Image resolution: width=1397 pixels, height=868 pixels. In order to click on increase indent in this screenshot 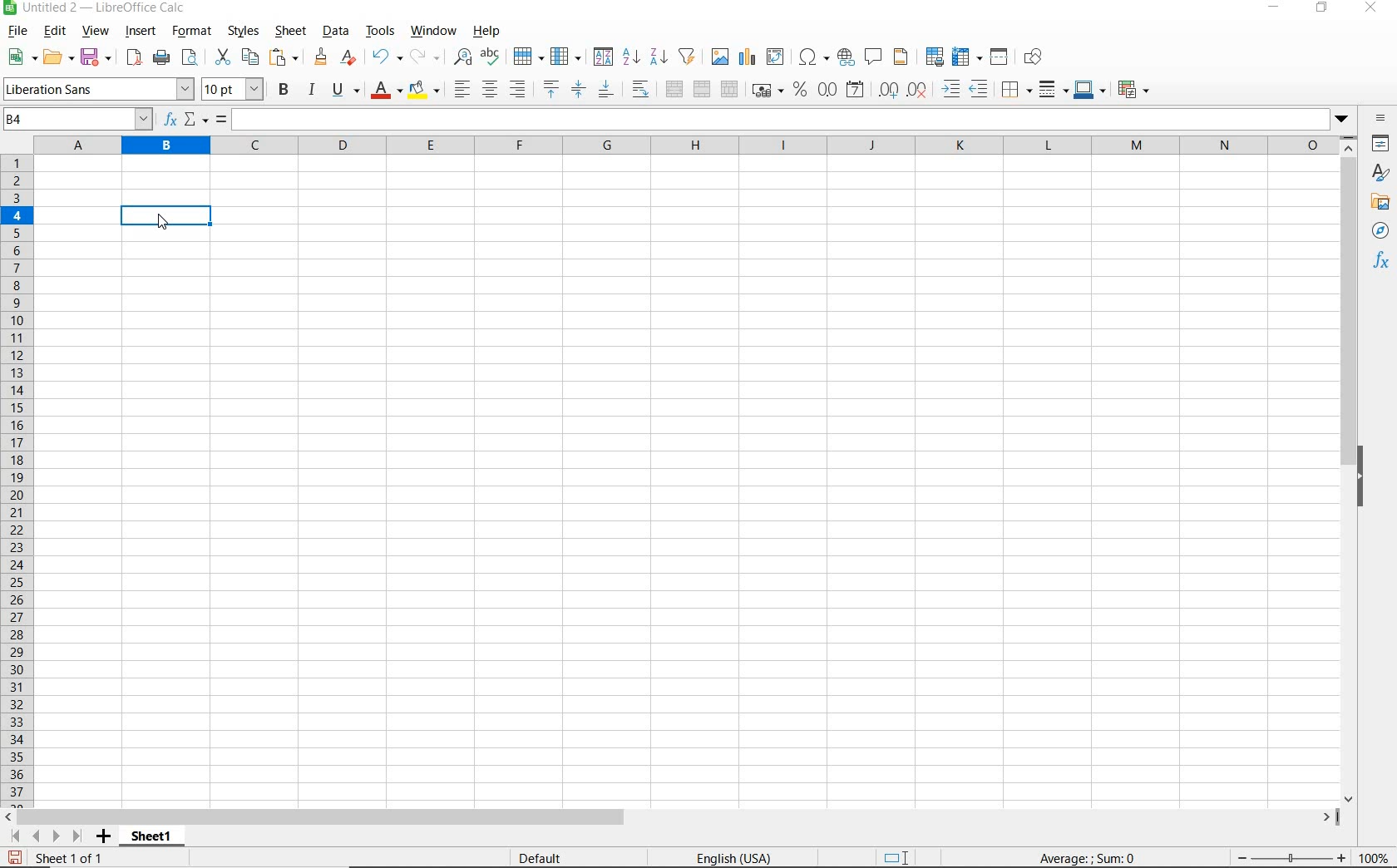, I will do `click(953, 89)`.